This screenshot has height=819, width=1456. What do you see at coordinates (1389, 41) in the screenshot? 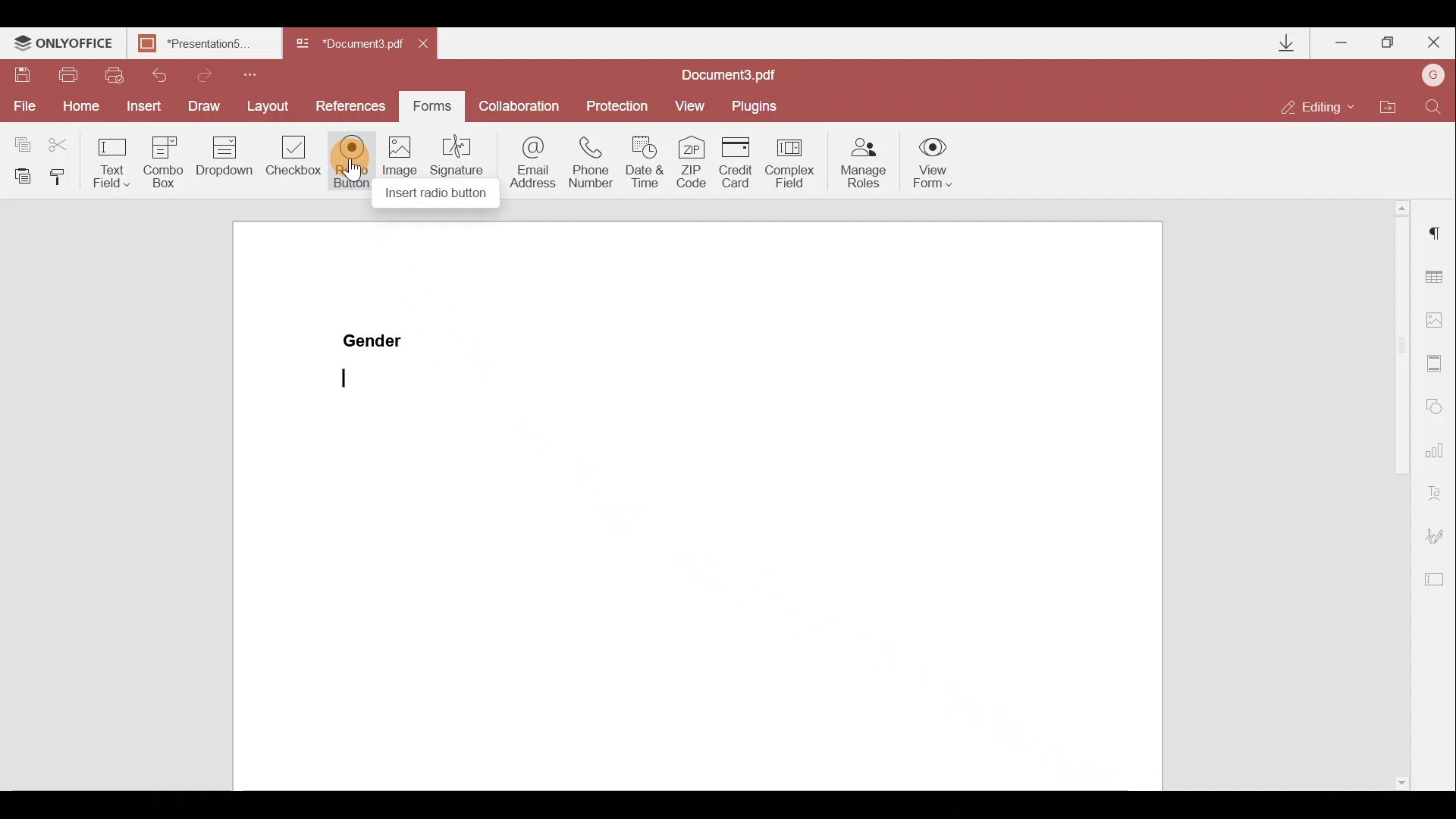
I see `Maximize` at bounding box center [1389, 41].